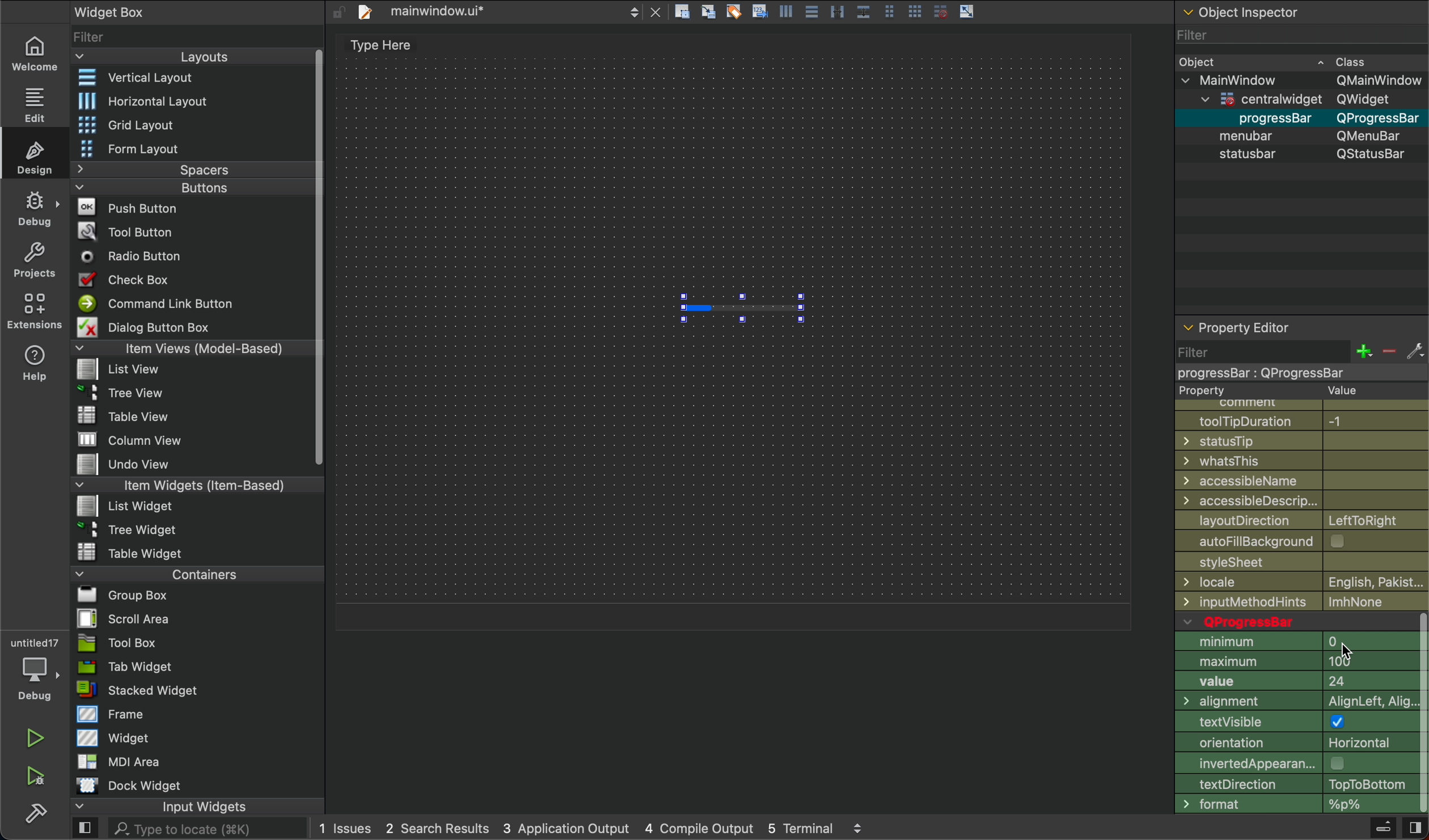  I want to click on File, so click(137, 465).